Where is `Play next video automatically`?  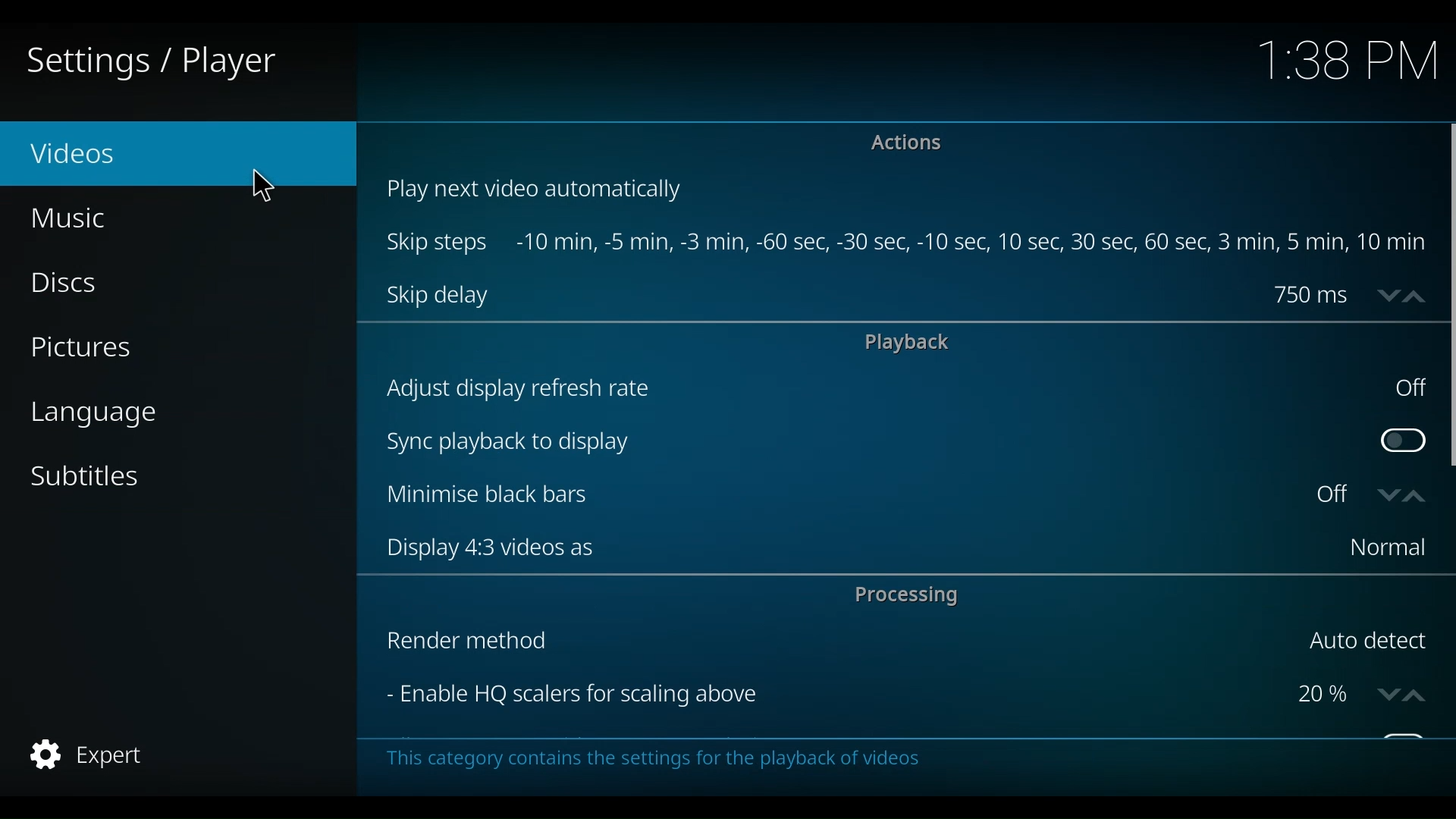
Play next video automatically is located at coordinates (544, 190).